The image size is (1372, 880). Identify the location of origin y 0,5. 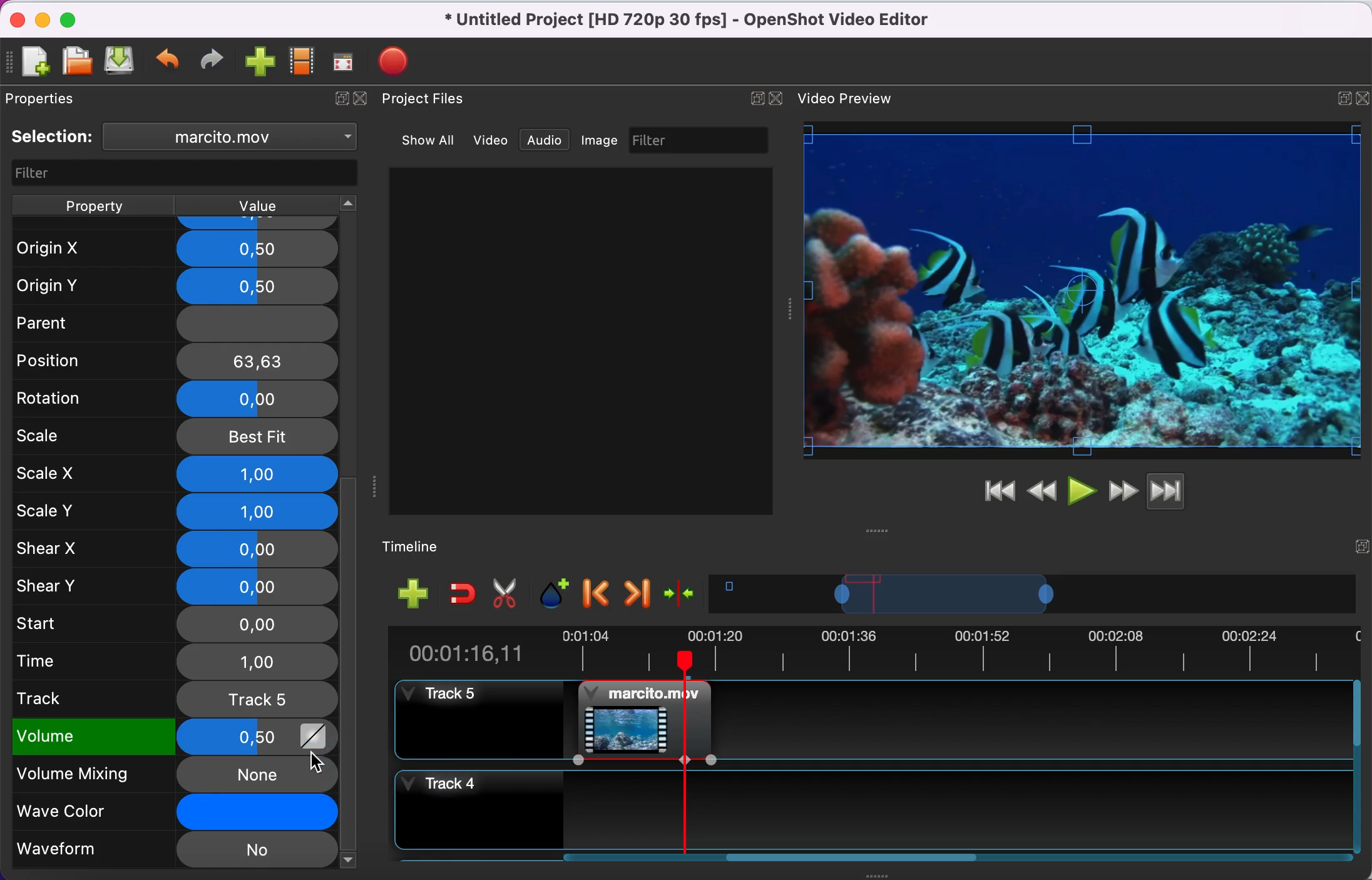
(176, 283).